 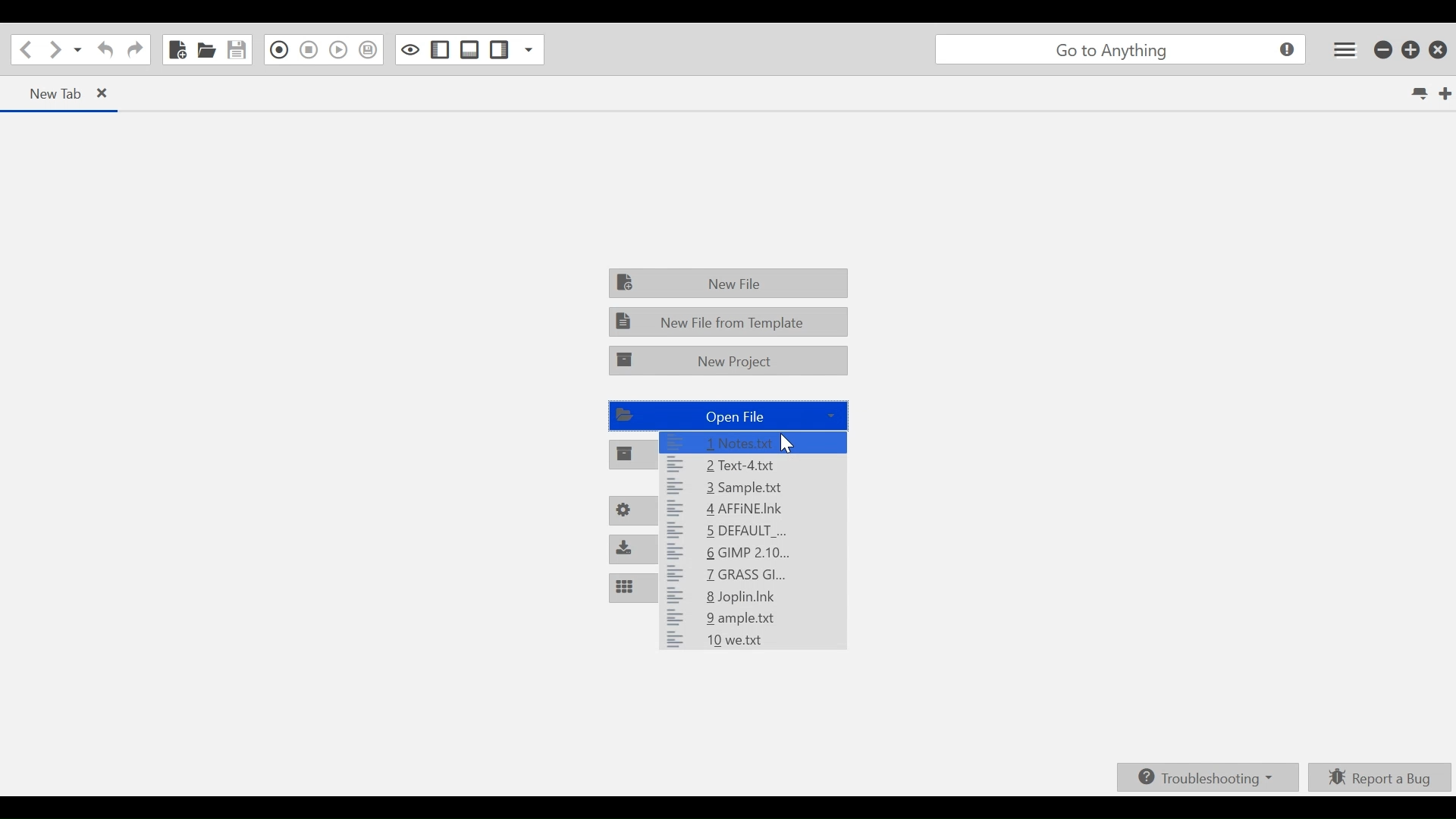 What do you see at coordinates (1205, 779) in the screenshot?
I see `Troubleshooting` at bounding box center [1205, 779].